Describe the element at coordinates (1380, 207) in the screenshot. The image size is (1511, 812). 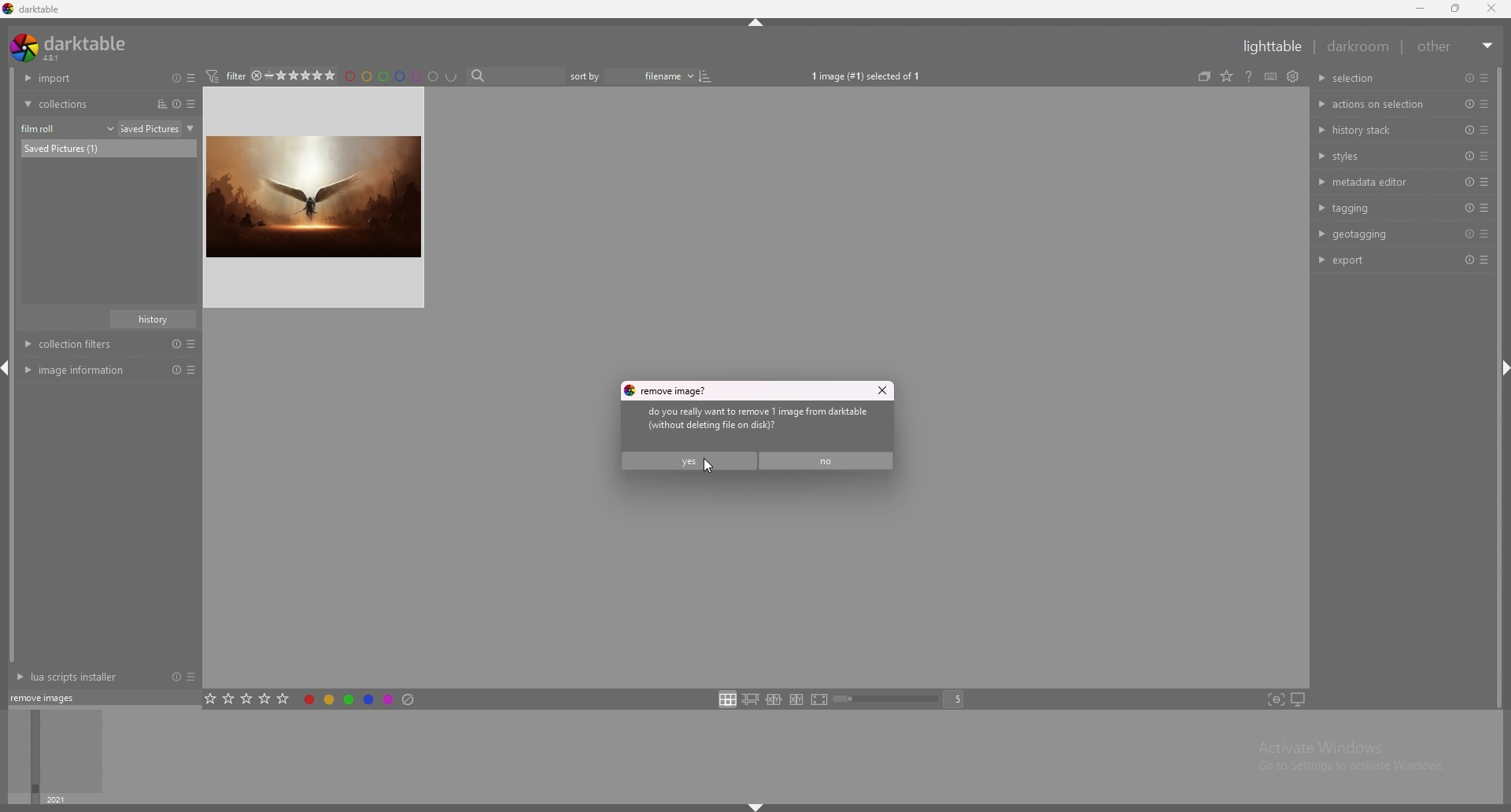
I see `tagging` at that location.